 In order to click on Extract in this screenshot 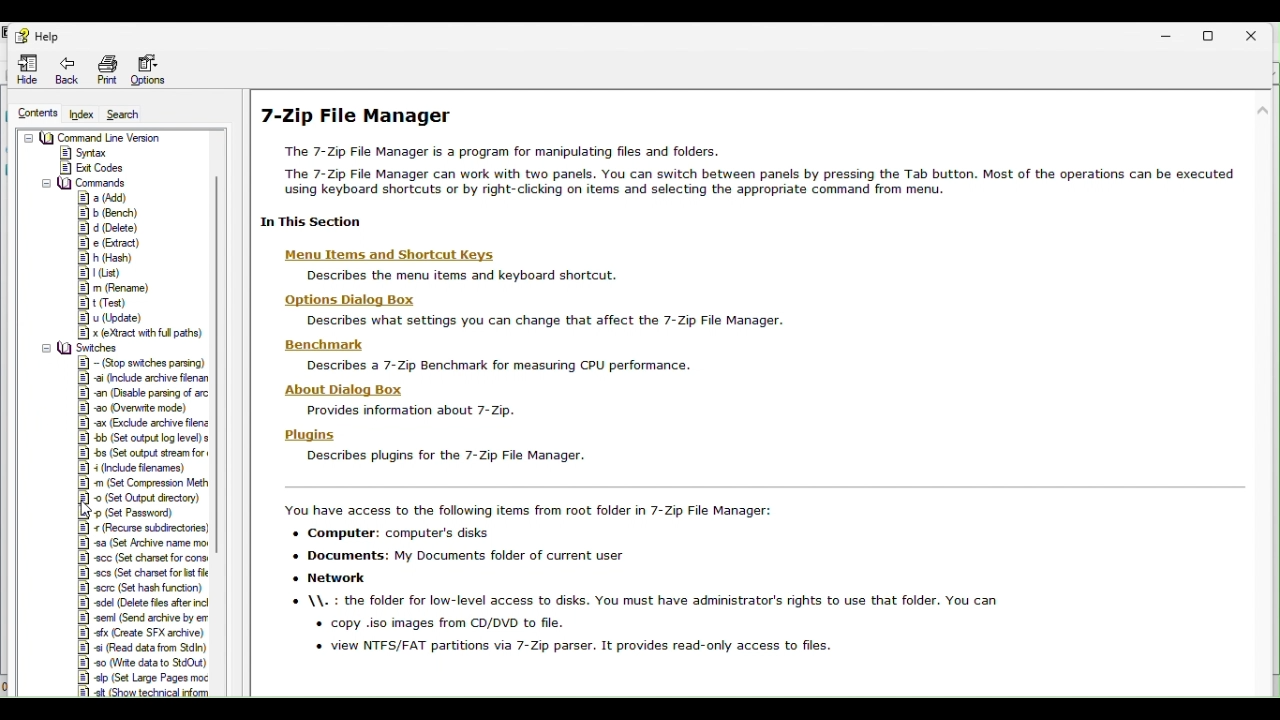, I will do `click(105, 243)`.